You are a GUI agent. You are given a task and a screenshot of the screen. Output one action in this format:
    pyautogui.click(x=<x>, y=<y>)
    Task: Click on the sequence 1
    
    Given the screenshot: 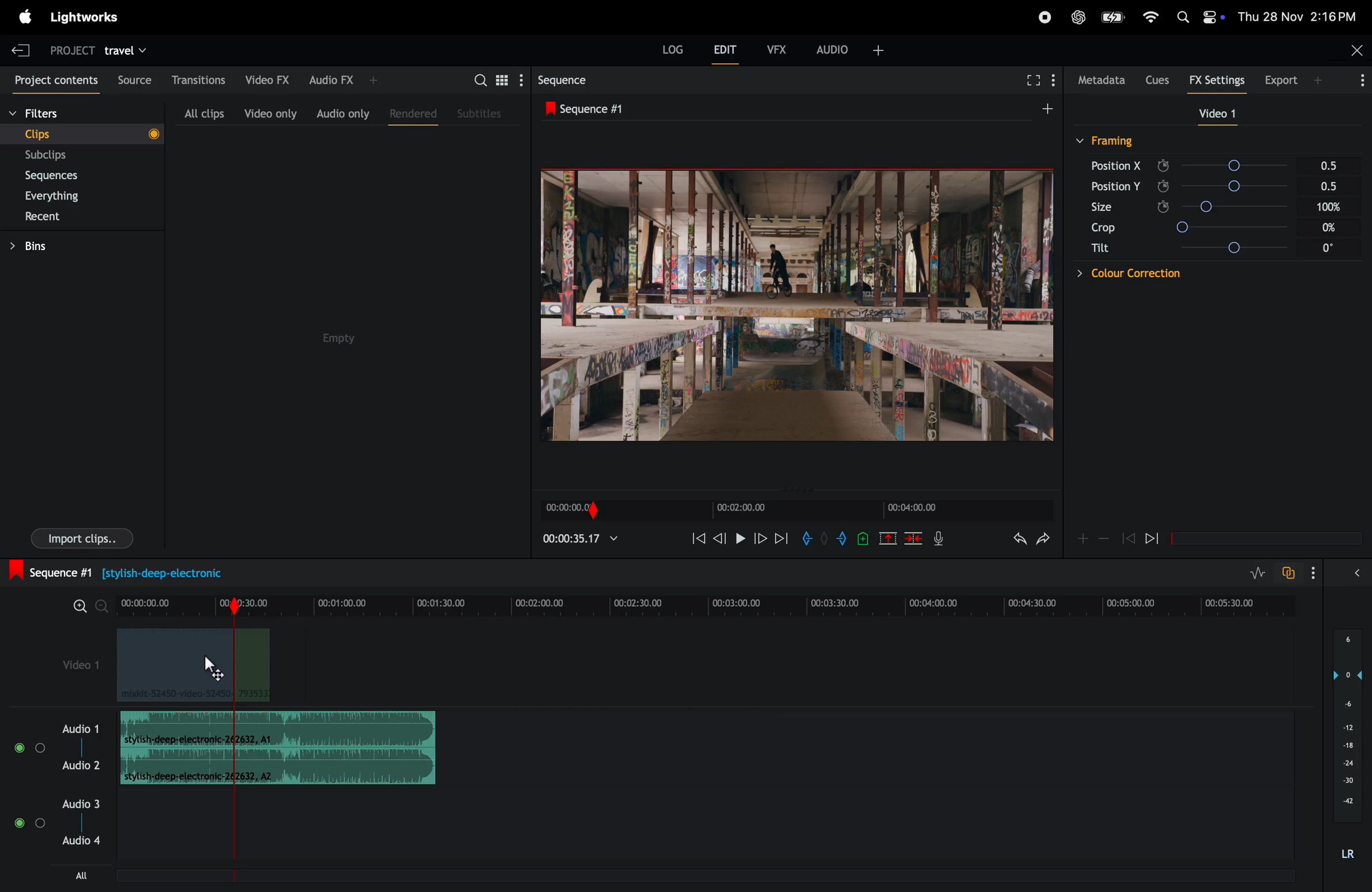 What is the action you would take?
    pyautogui.click(x=137, y=573)
    